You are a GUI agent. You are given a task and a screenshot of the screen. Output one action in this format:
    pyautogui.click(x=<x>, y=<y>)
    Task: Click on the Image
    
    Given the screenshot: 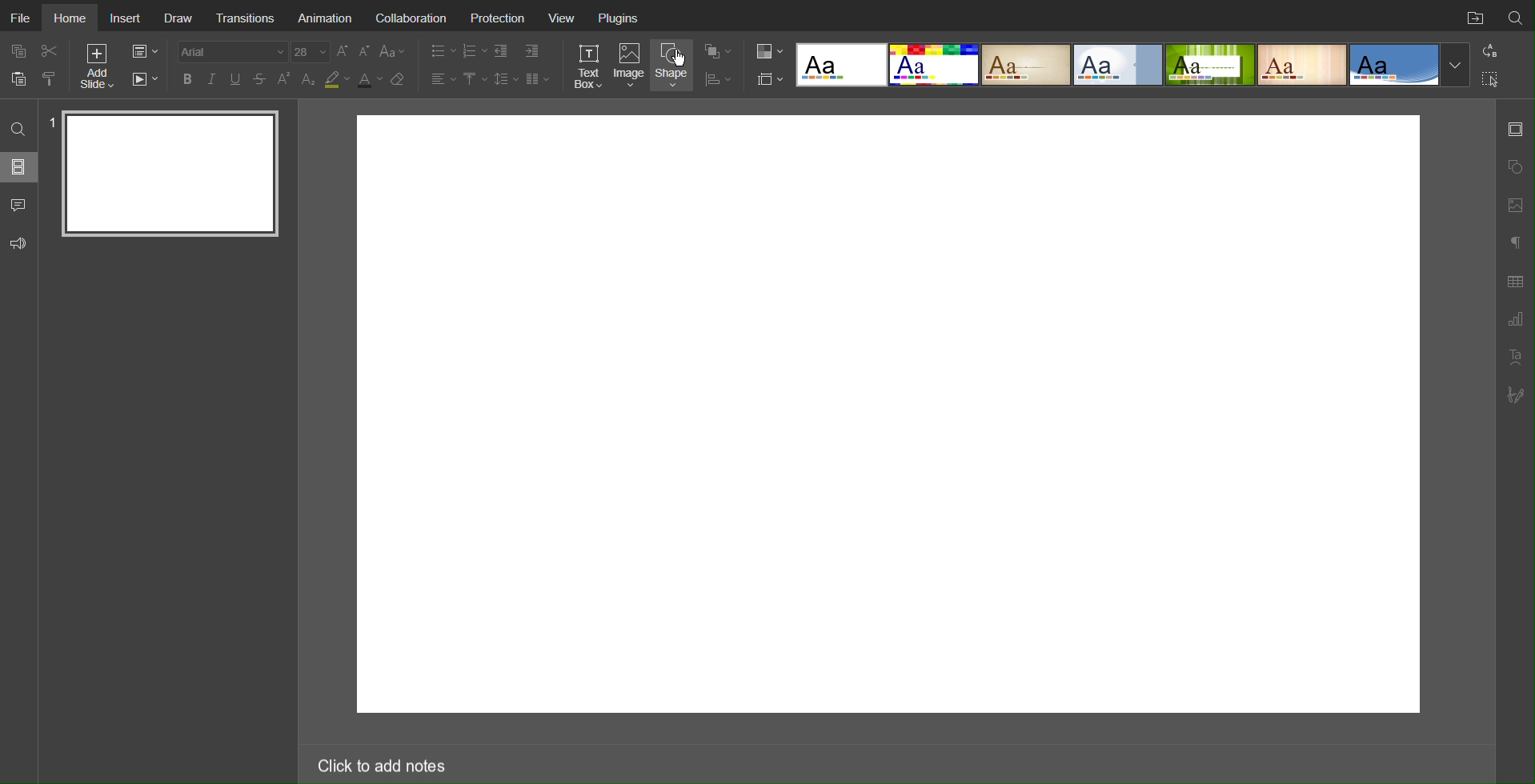 What is the action you would take?
    pyautogui.click(x=631, y=66)
    